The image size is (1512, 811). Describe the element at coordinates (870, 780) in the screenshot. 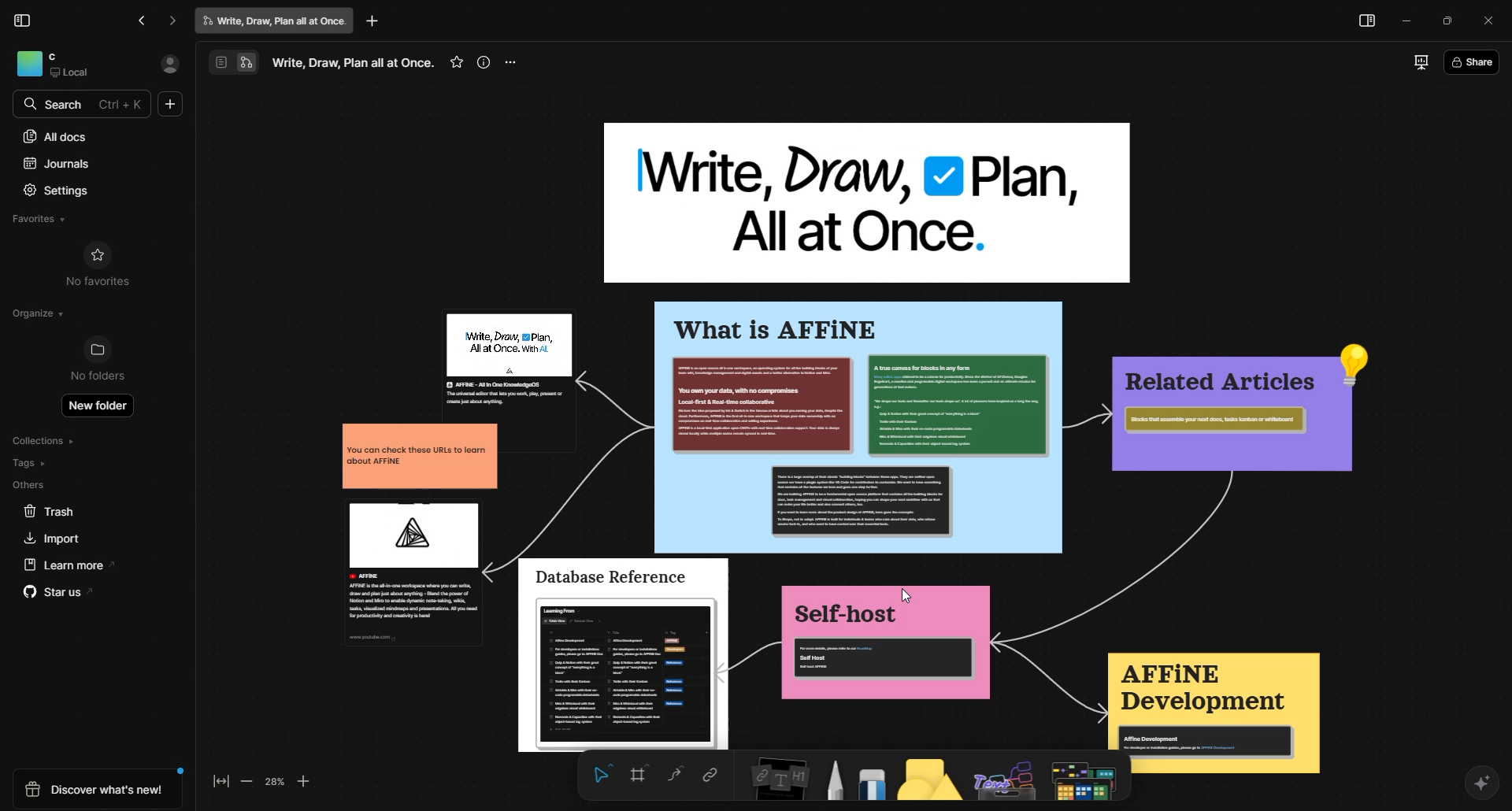

I see `Eraser` at that location.